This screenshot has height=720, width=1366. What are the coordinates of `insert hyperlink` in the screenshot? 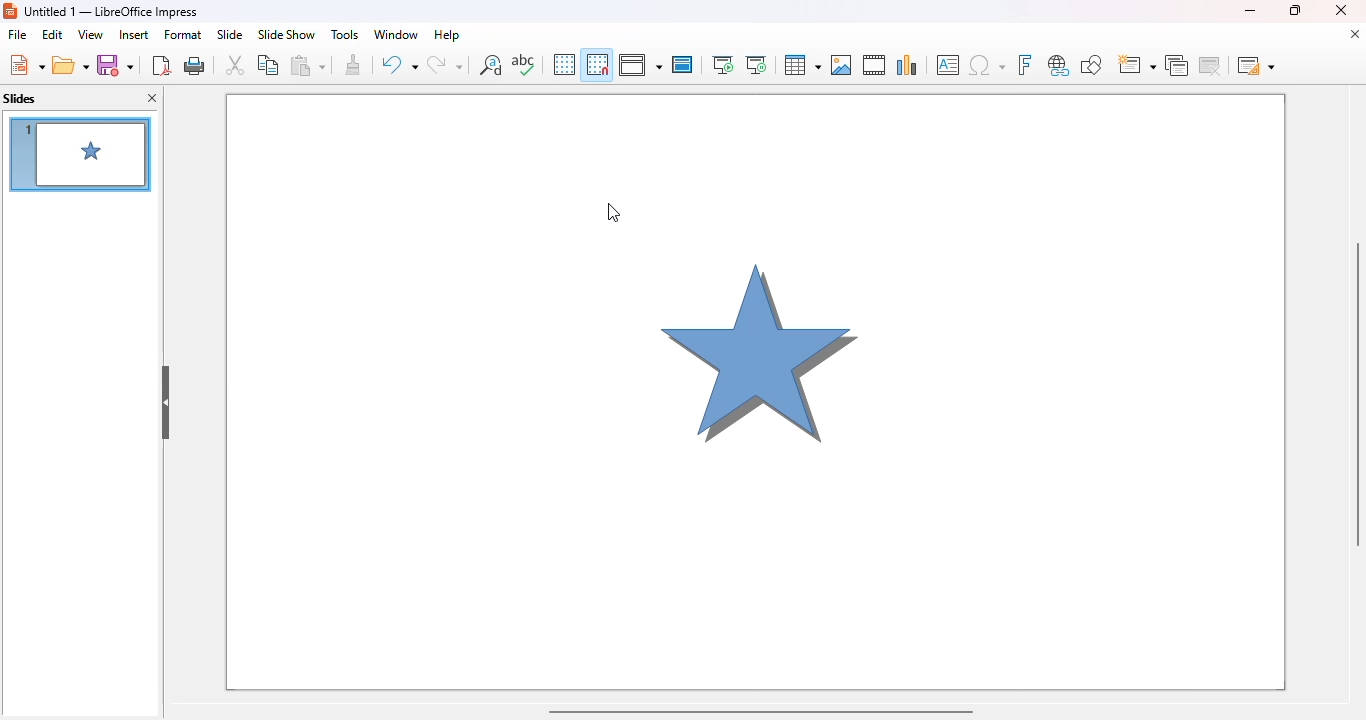 It's located at (1059, 65).